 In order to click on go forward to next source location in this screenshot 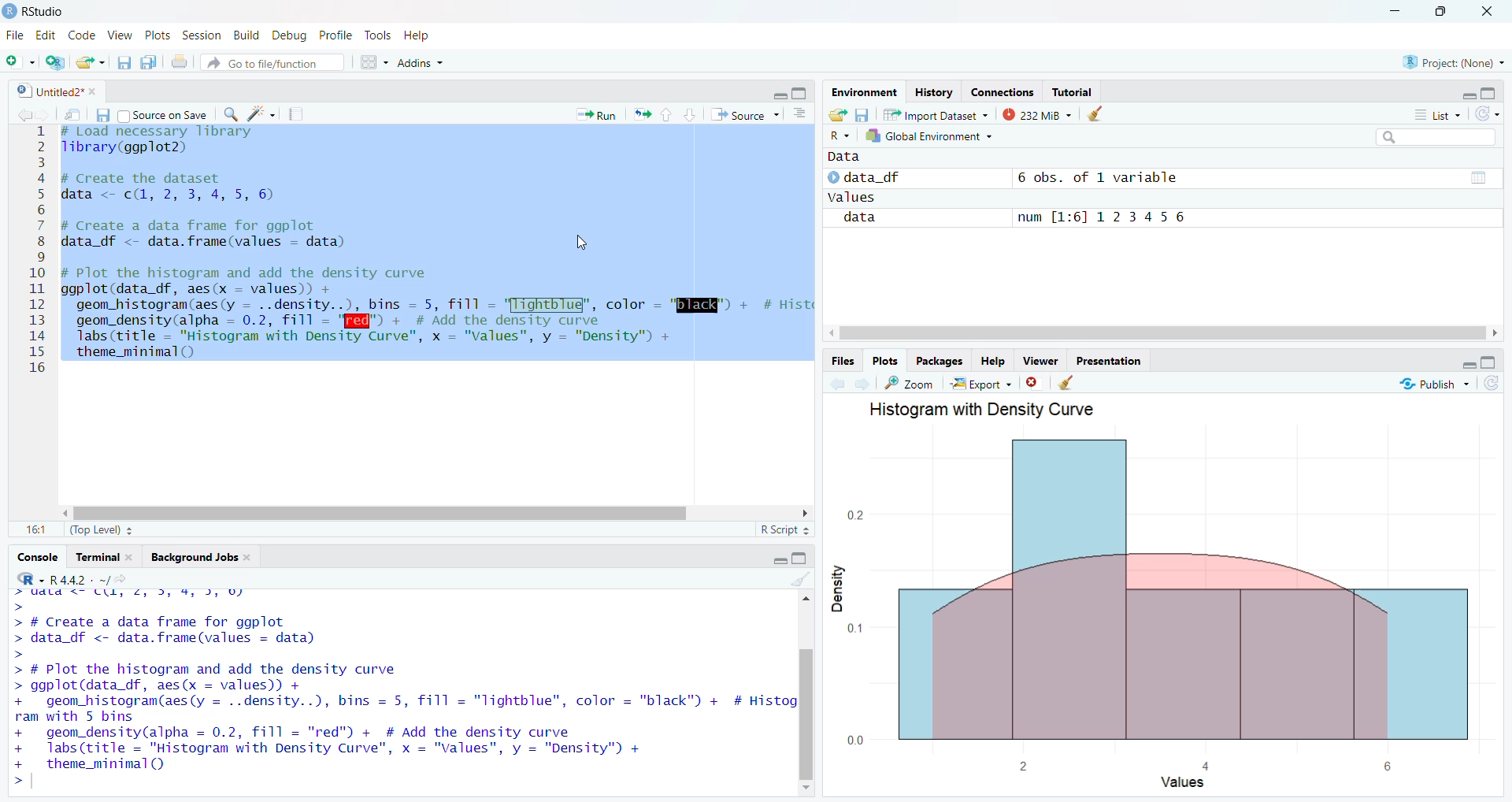, I will do `click(46, 114)`.